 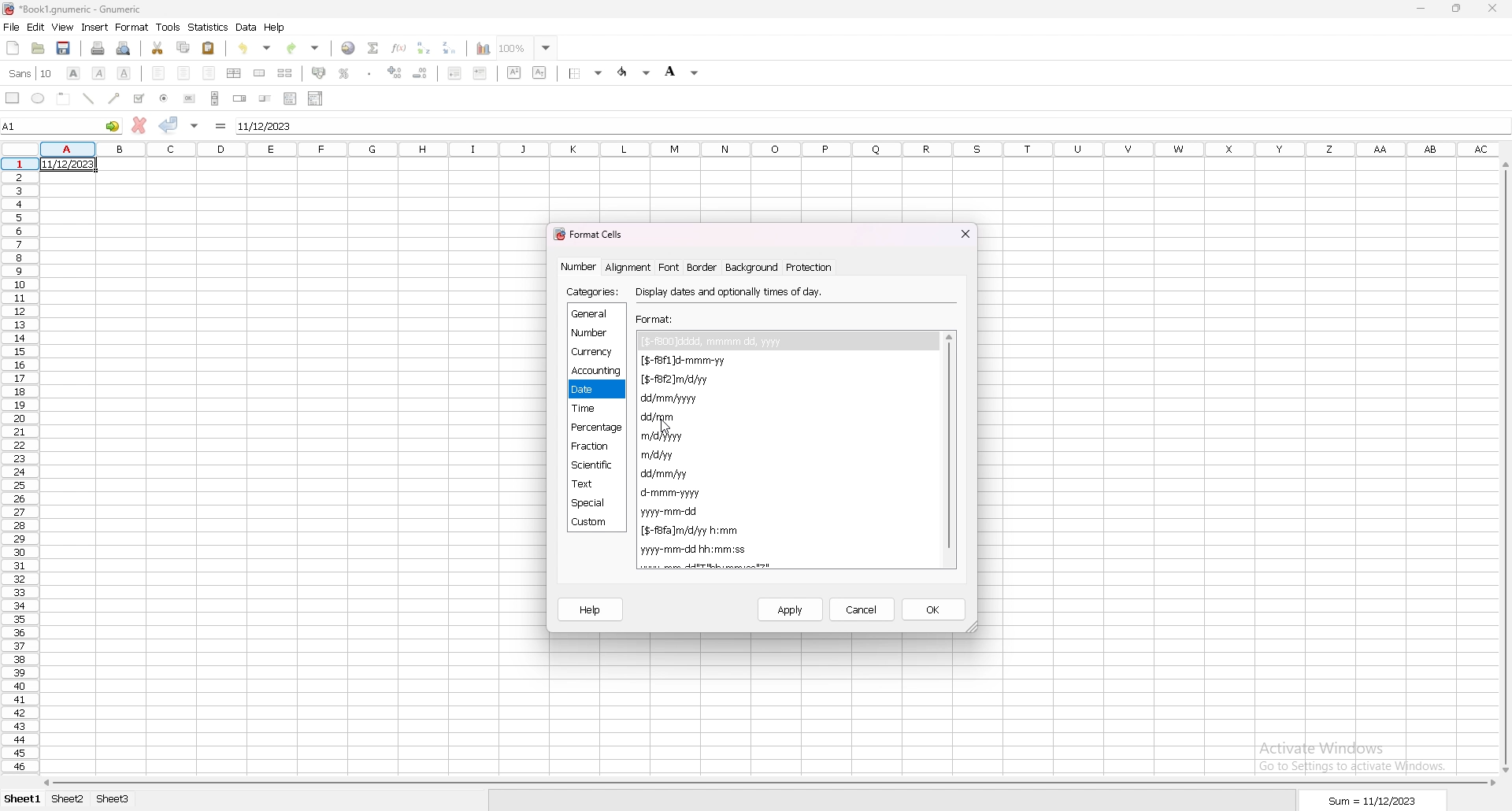 I want to click on dd/mm, so click(x=665, y=418).